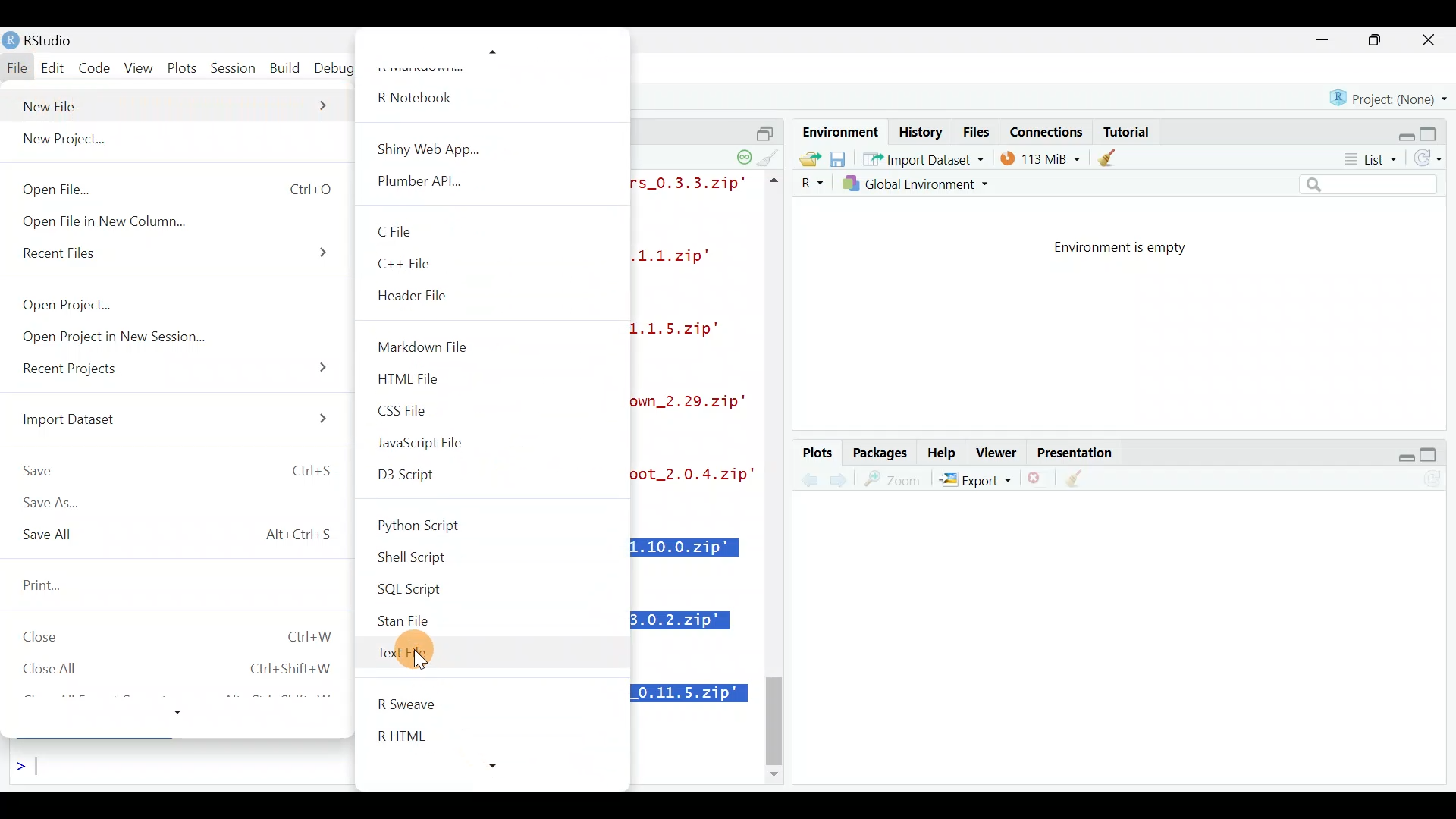 Image resolution: width=1456 pixels, height=819 pixels. I want to click on remove the current plot, so click(1037, 482).